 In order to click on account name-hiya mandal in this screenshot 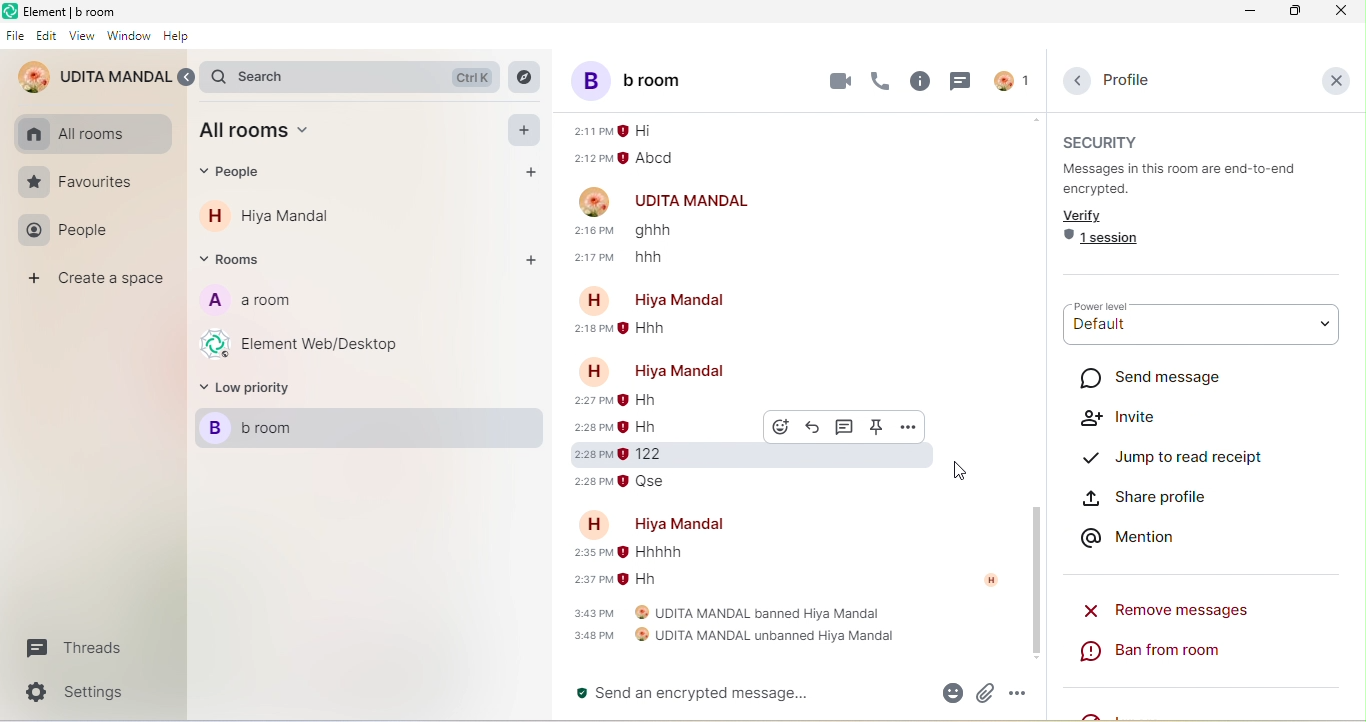, I will do `click(661, 523)`.